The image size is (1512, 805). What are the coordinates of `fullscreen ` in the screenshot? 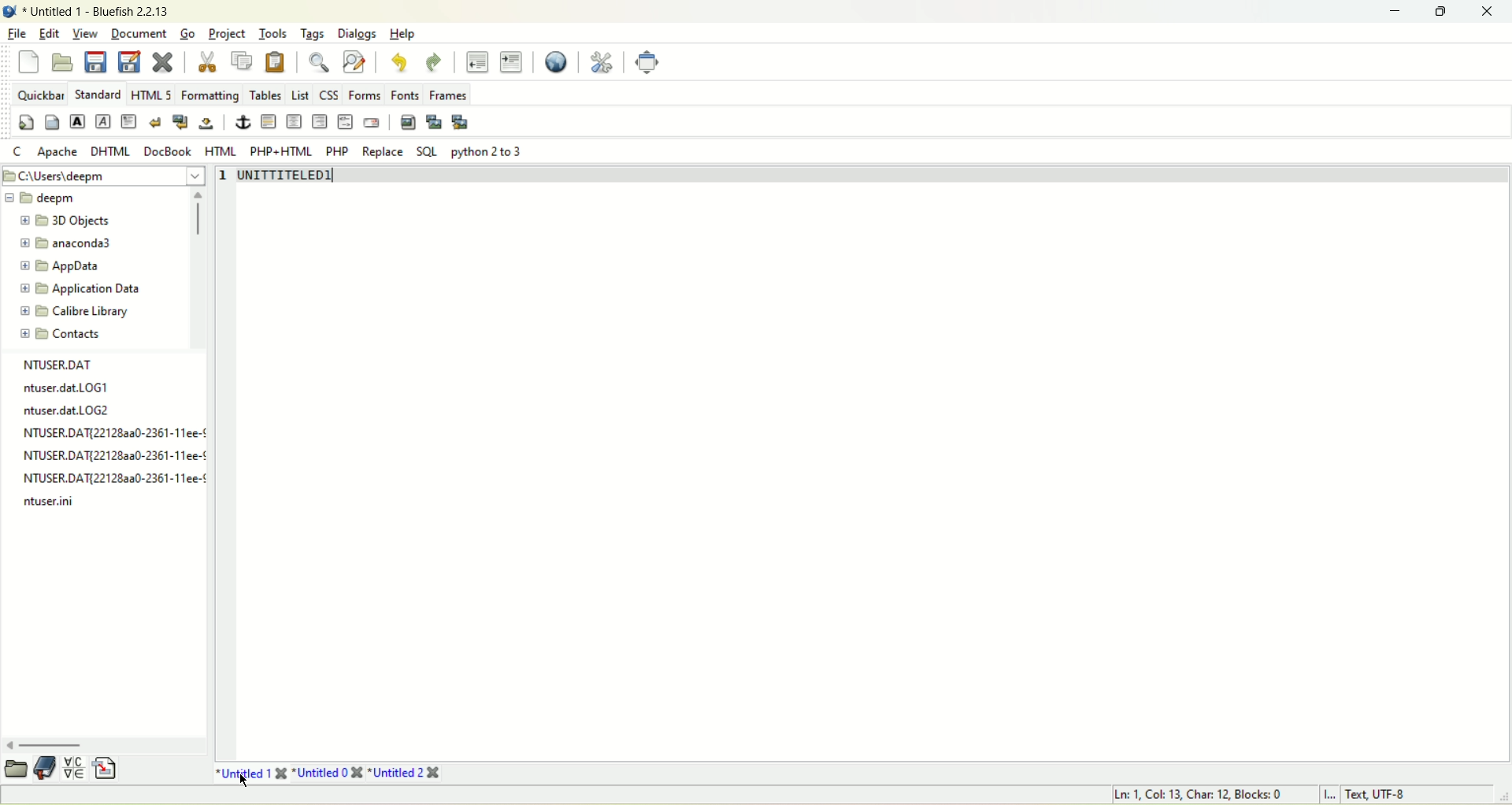 It's located at (649, 61).